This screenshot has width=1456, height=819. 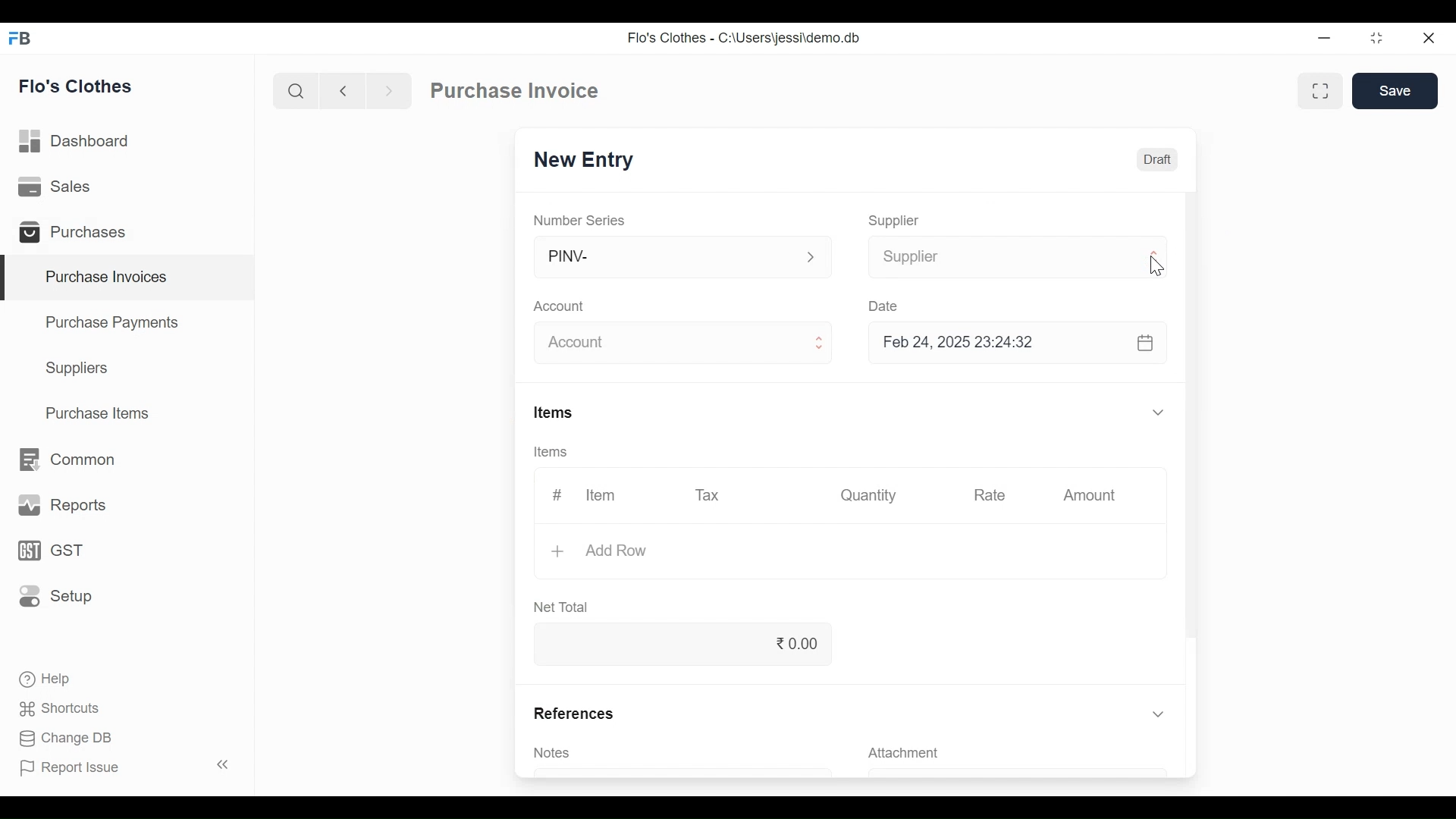 I want to click on Purchase Invoice, so click(x=514, y=90).